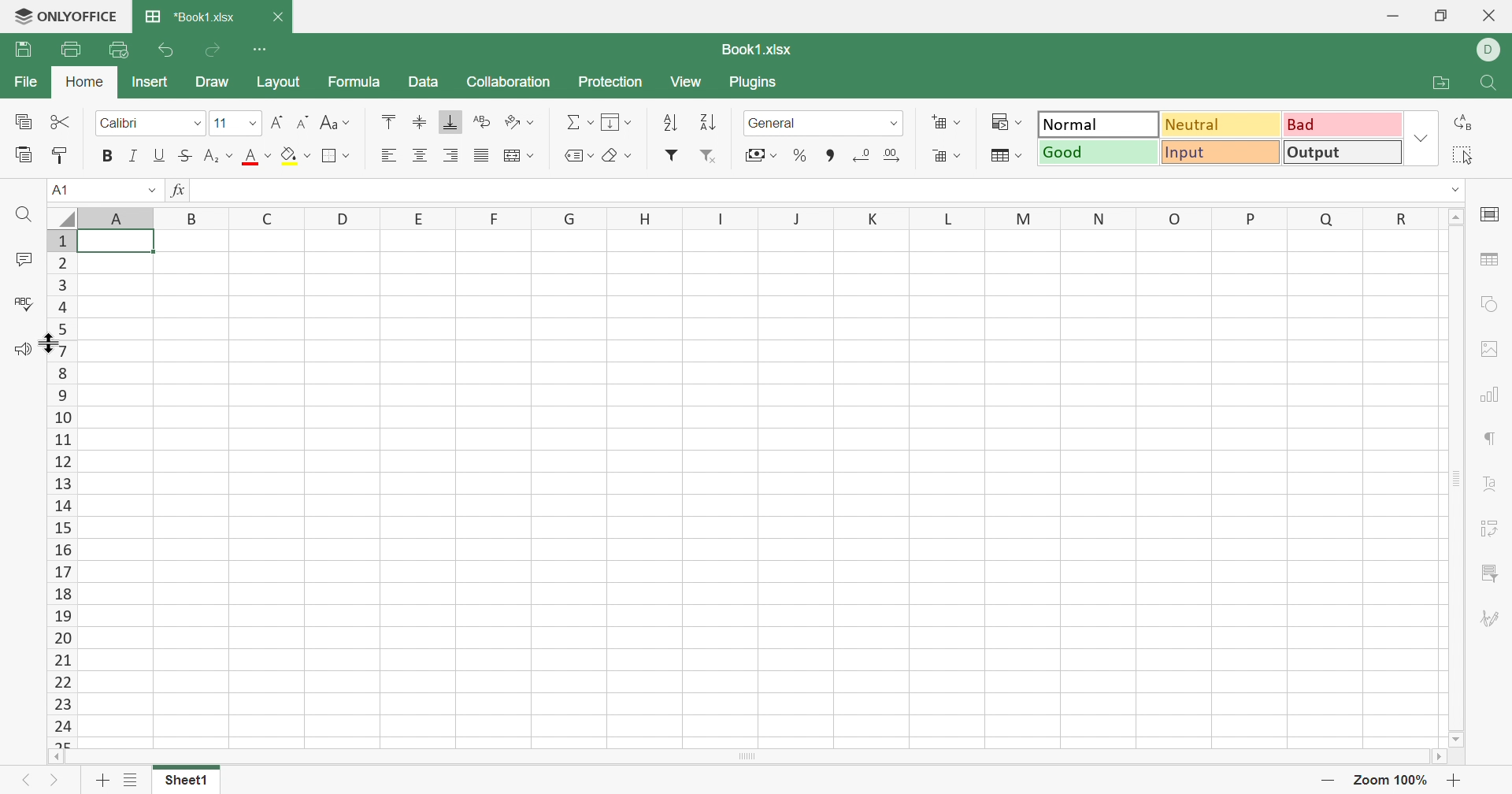 The width and height of the screenshot is (1512, 794). What do you see at coordinates (1488, 573) in the screenshot?
I see `Slicer settings` at bounding box center [1488, 573].